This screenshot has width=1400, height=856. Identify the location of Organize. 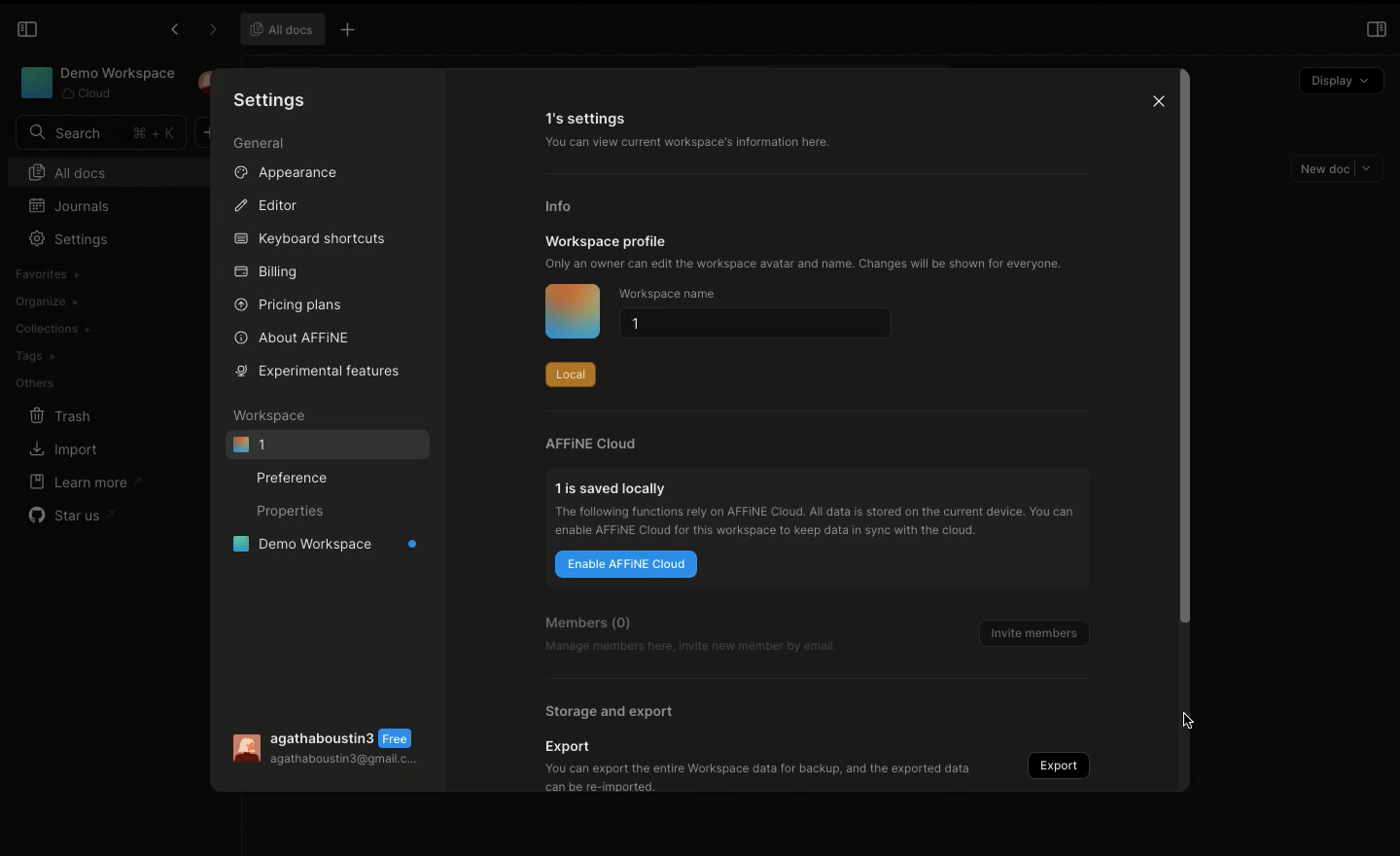
(49, 301).